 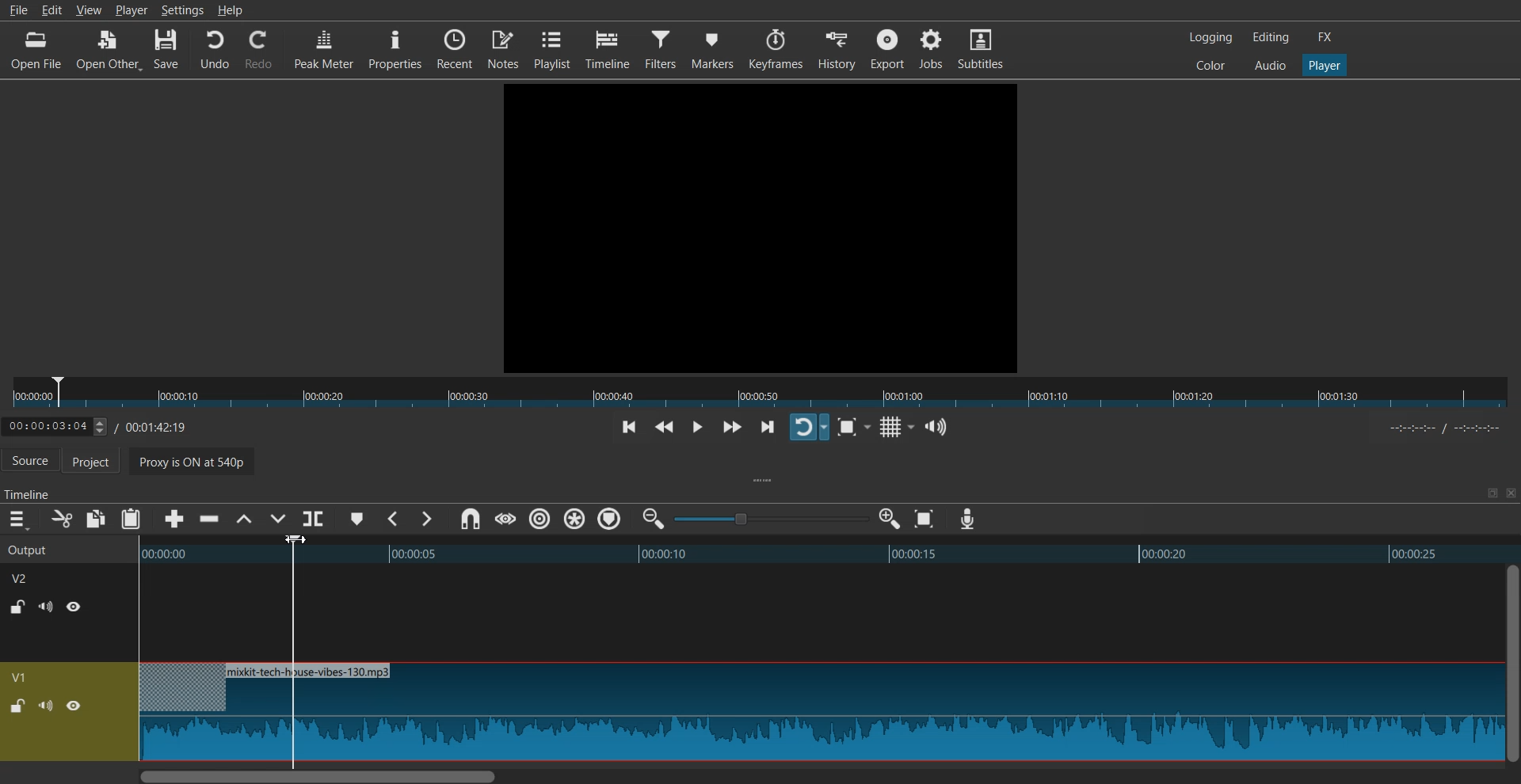 What do you see at coordinates (357, 519) in the screenshot?
I see `Add marker` at bounding box center [357, 519].